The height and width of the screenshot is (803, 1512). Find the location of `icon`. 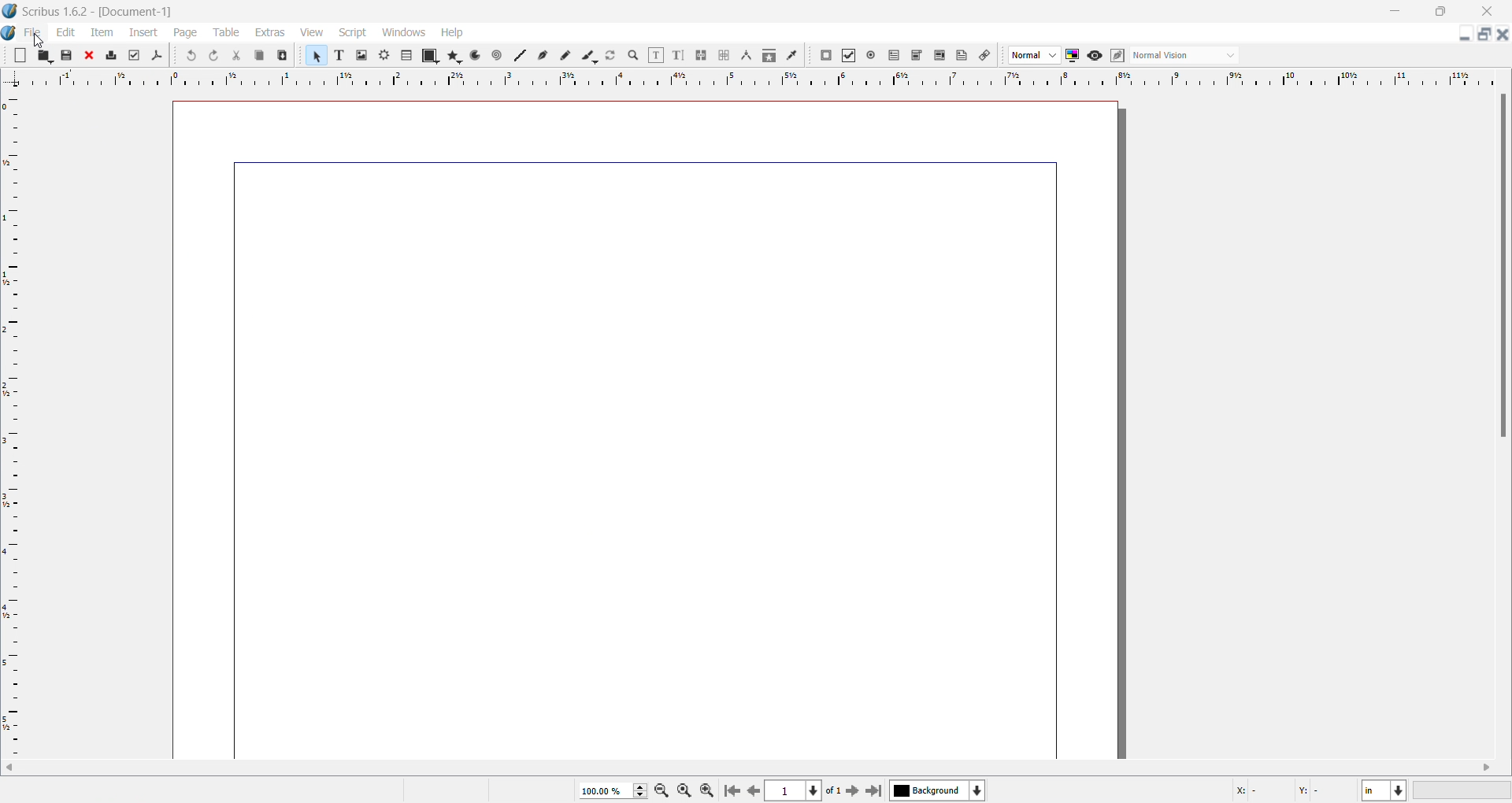

icon is located at coordinates (518, 57).